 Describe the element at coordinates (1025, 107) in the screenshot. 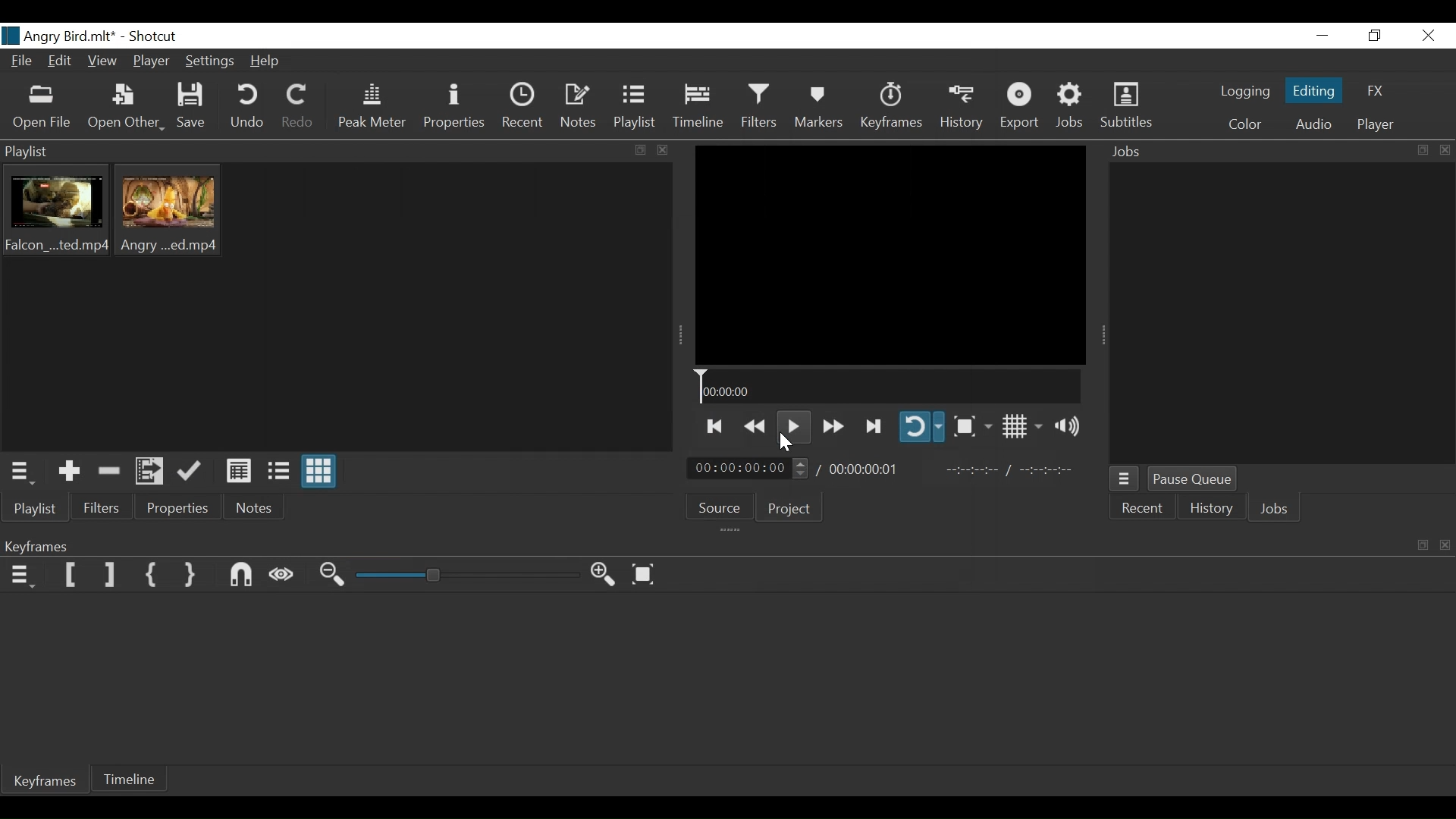

I see `Export` at that location.